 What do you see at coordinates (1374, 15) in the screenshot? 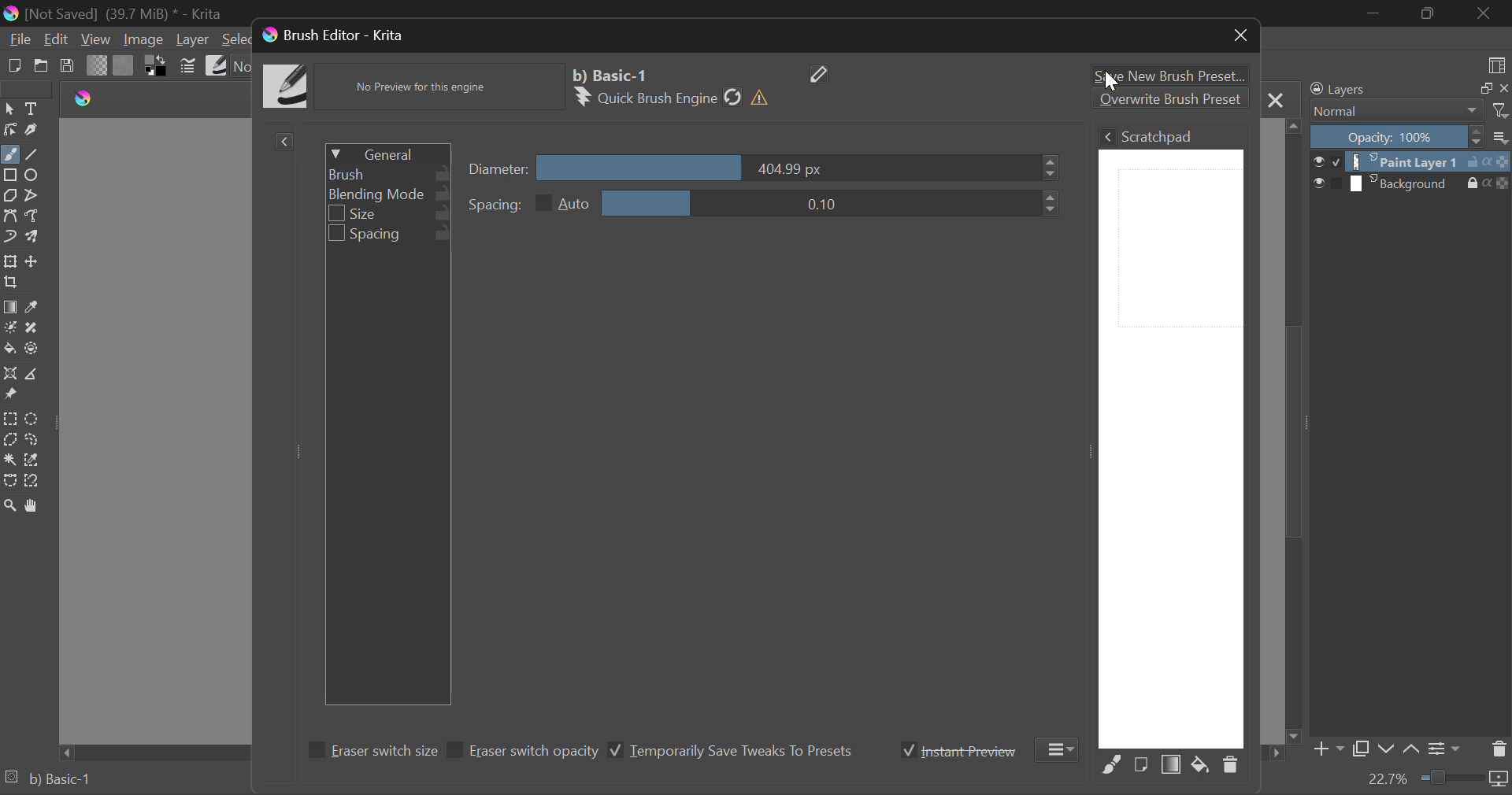
I see `Restore Down` at bounding box center [1374, 15].